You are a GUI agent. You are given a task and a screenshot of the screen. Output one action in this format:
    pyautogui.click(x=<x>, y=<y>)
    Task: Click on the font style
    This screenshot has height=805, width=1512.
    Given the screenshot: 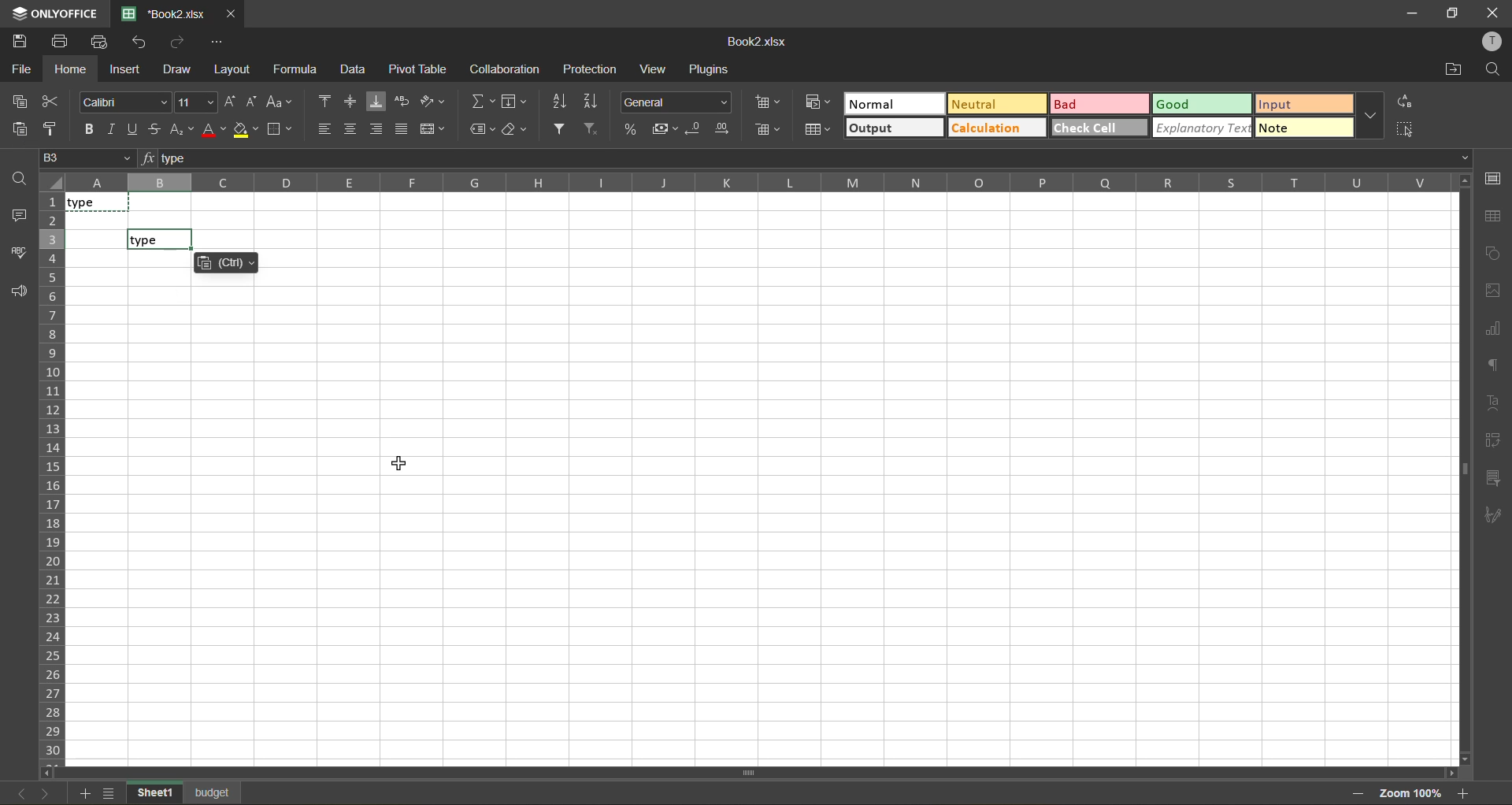 What is the action you would take?
    pyautogui.click(x=124, y=101)
    